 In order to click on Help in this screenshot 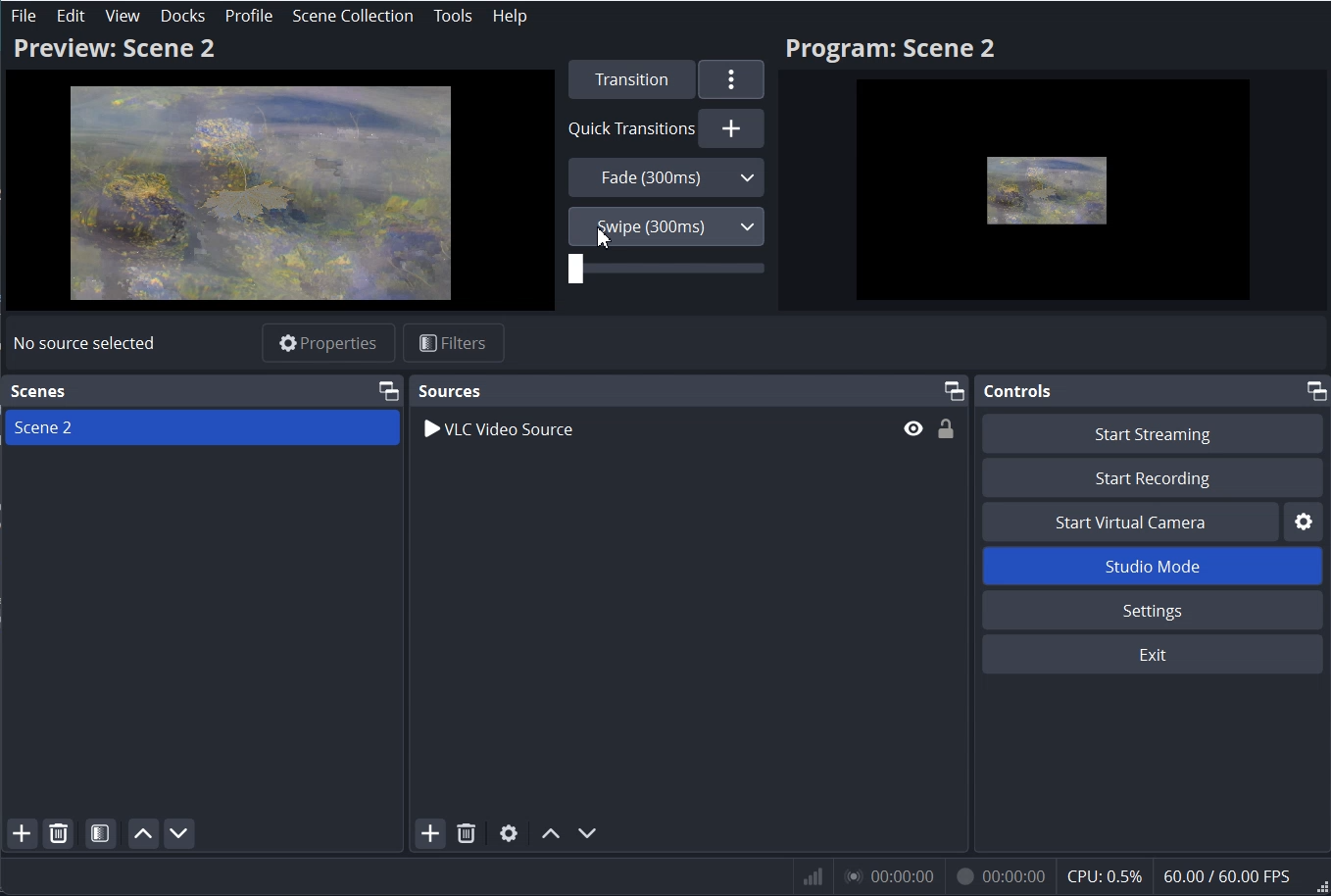, I will do `click(509, 16)`.